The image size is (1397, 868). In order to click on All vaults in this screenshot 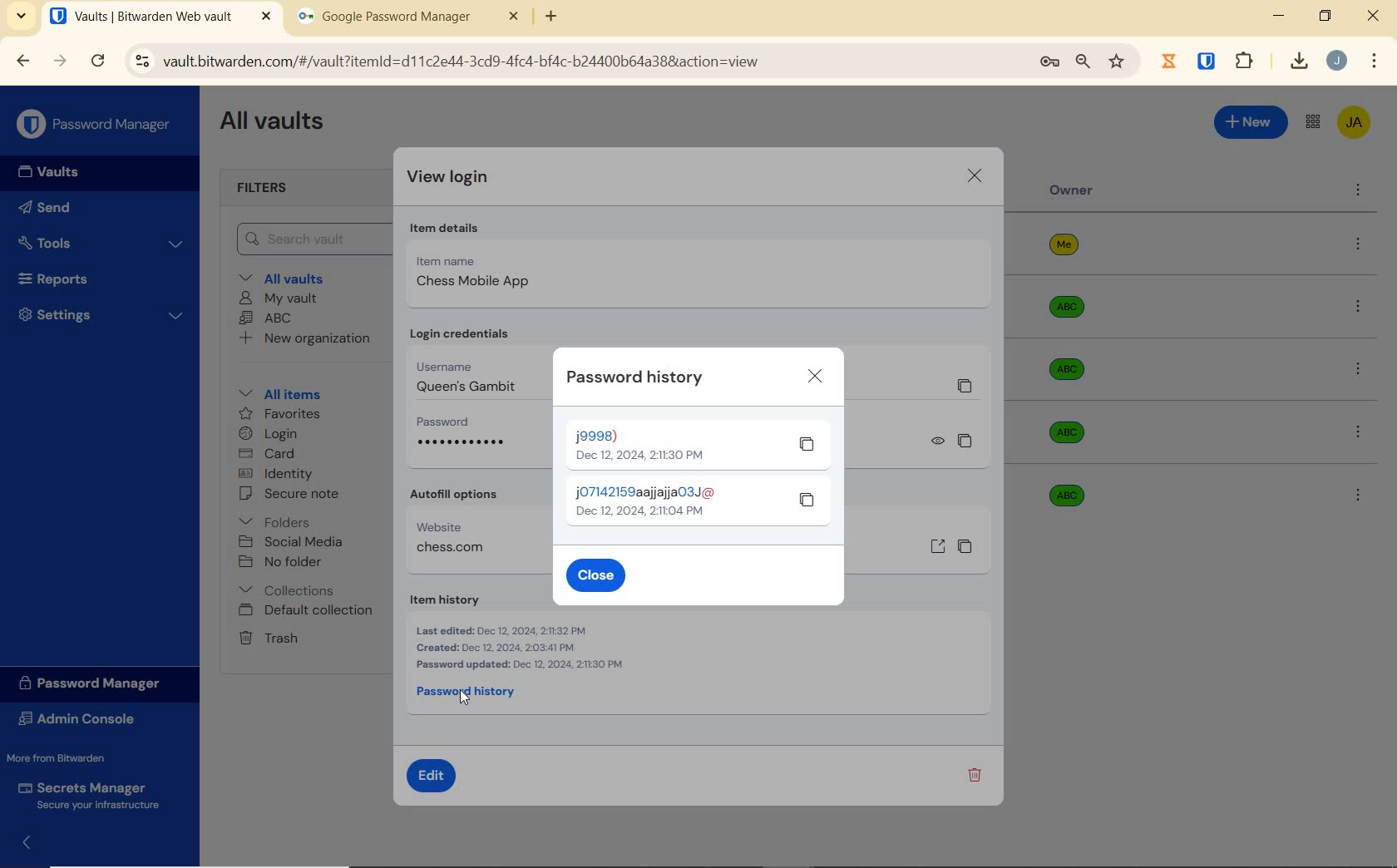, I will do `click(293, 278)`.